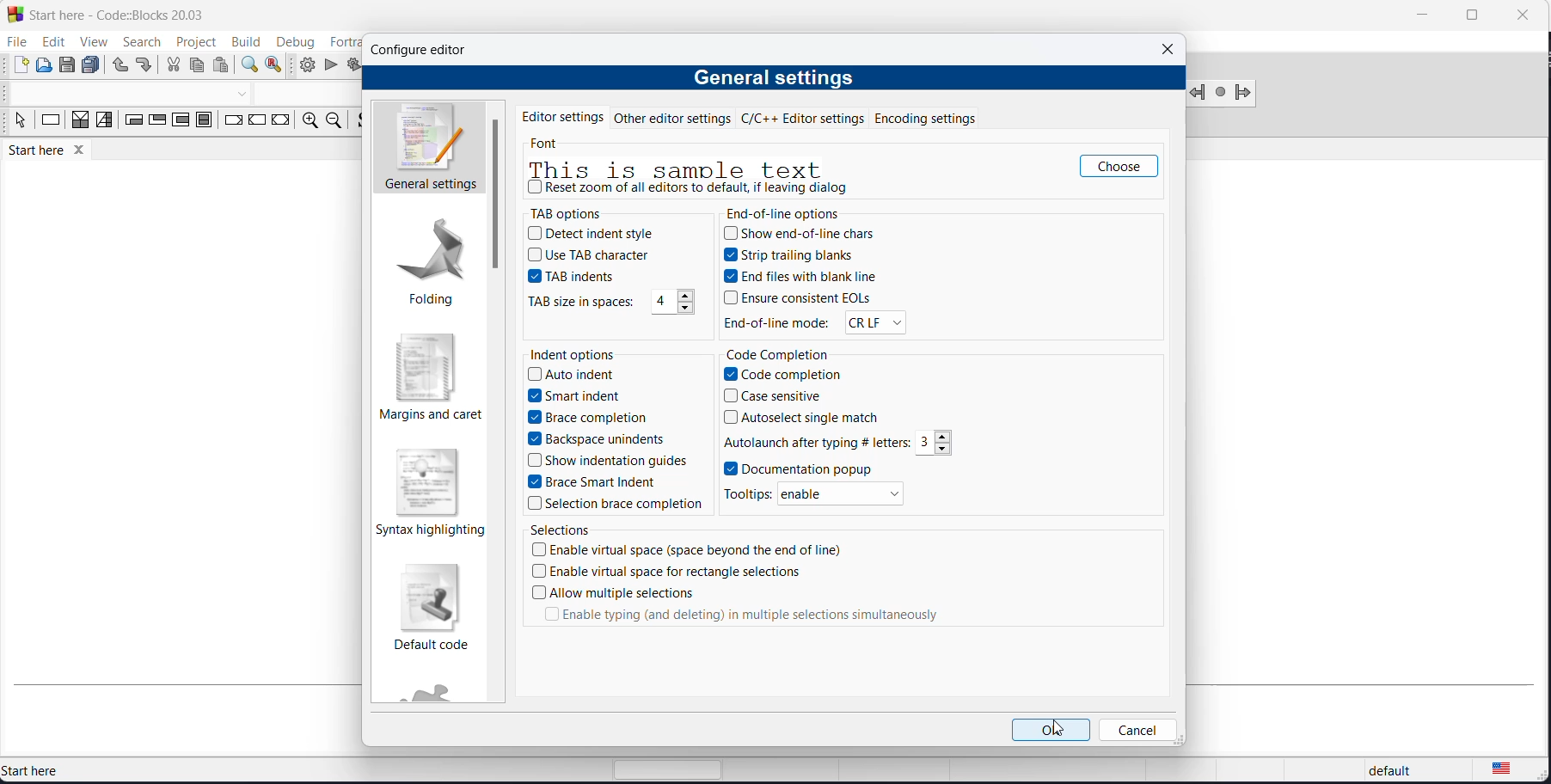 The height and width of the screenshot is (784, 1551). I want to click on exit condition loop, so click(156, 123).